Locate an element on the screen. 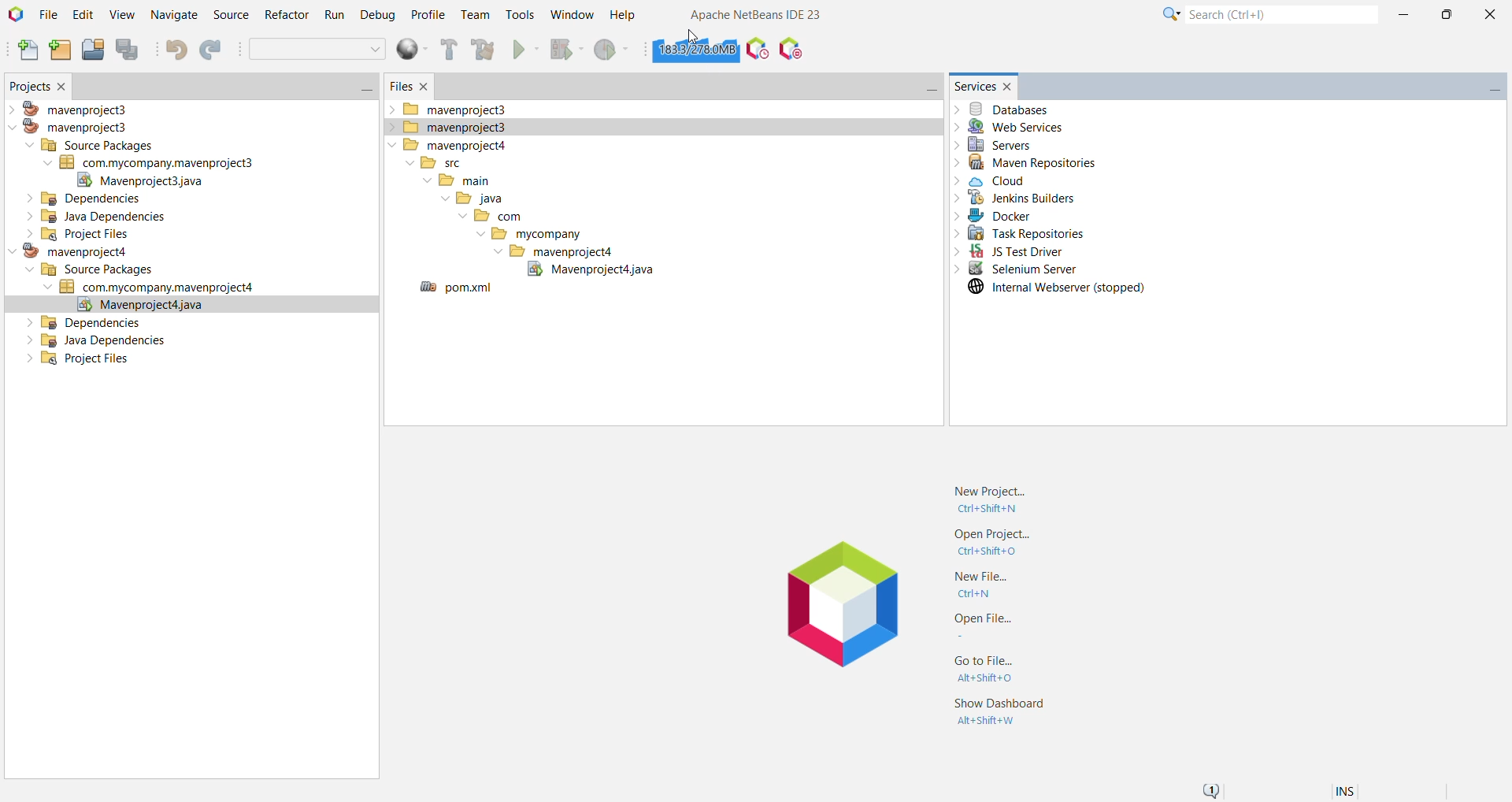 The width and height of the screenshot is (1512, 802). New Project is located at coordinates (994, 501).